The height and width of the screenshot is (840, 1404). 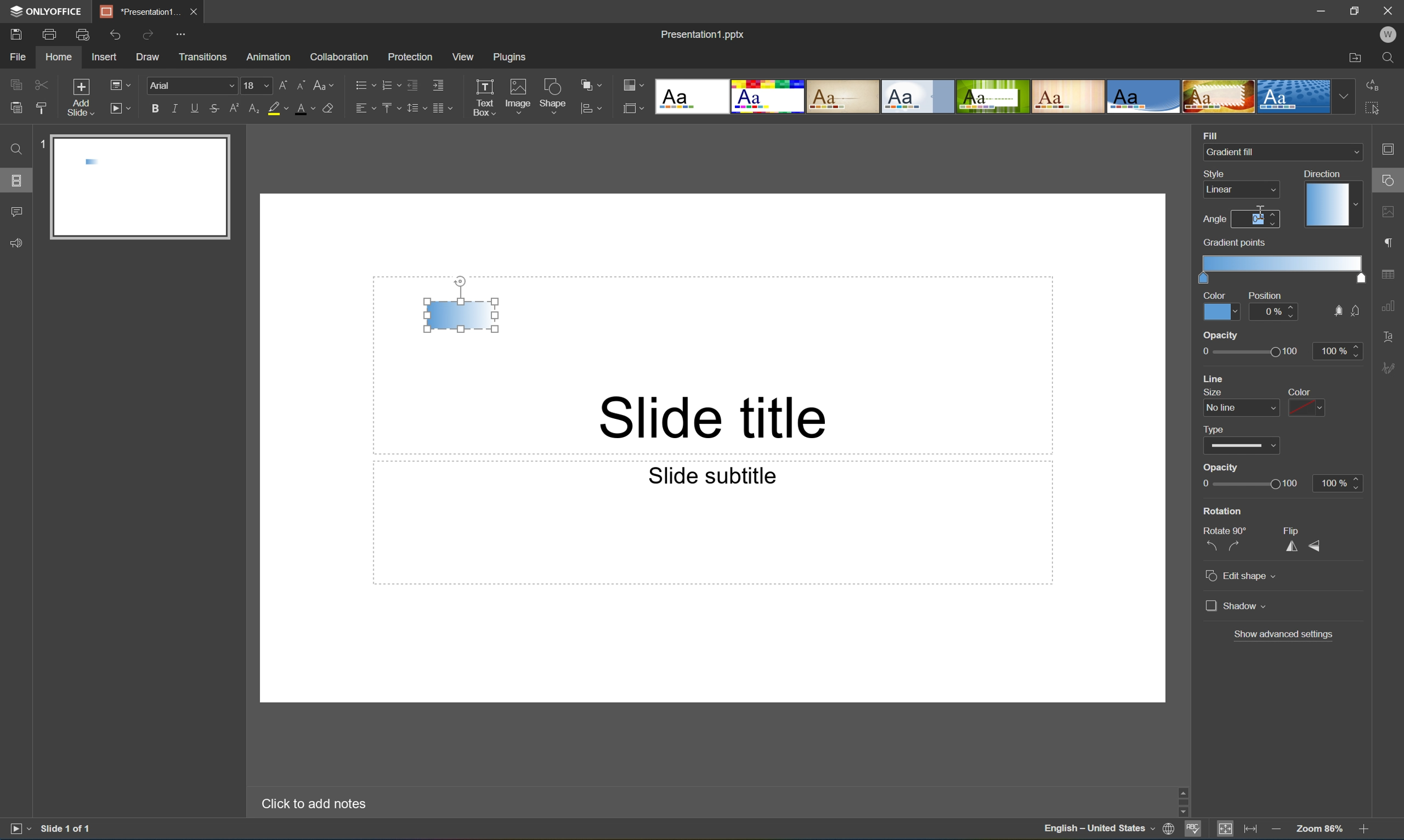 I want to click on Increment font size, so click(x=280, y=83).